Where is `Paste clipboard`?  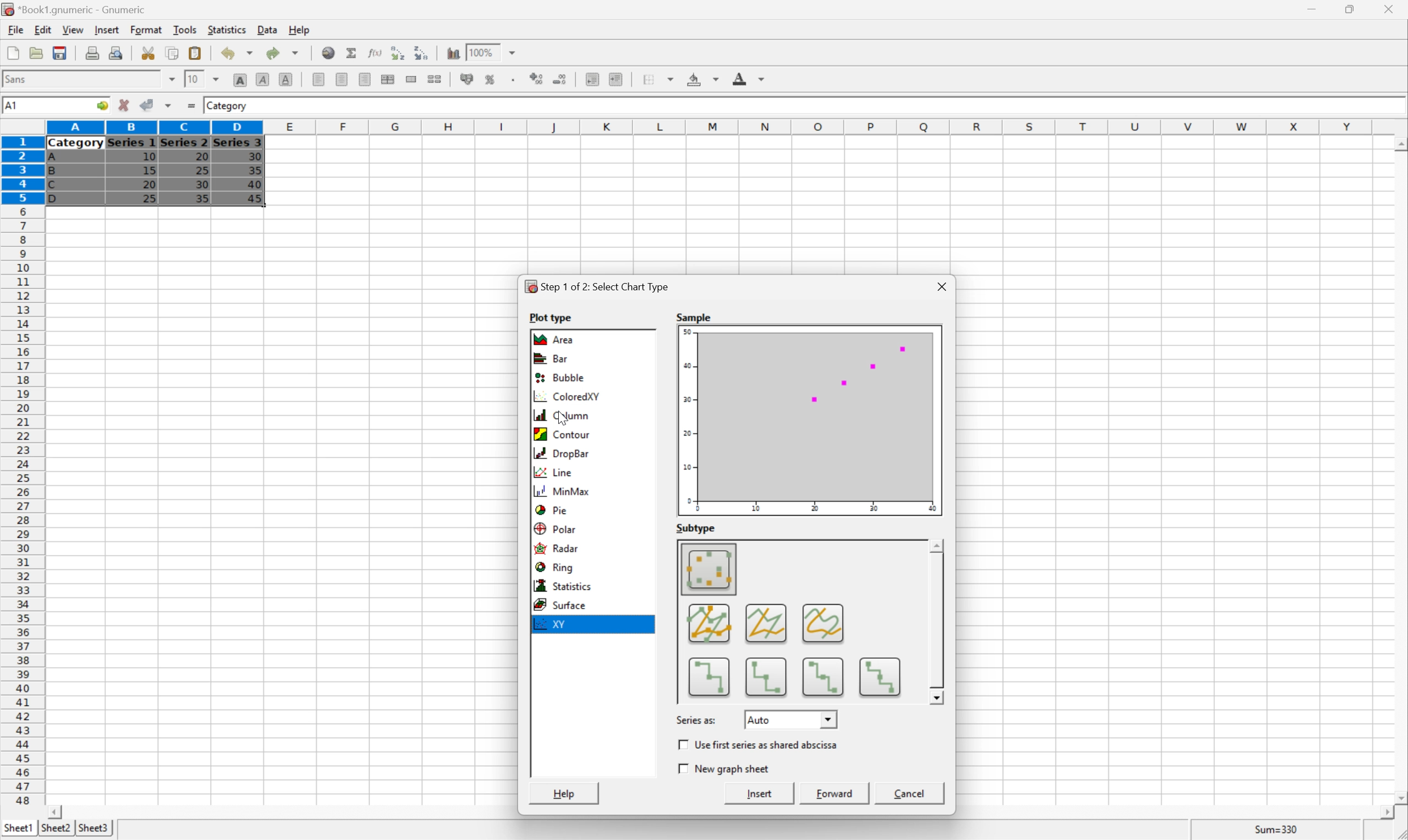
Paste clipboard is located at coordinates (195, 52).